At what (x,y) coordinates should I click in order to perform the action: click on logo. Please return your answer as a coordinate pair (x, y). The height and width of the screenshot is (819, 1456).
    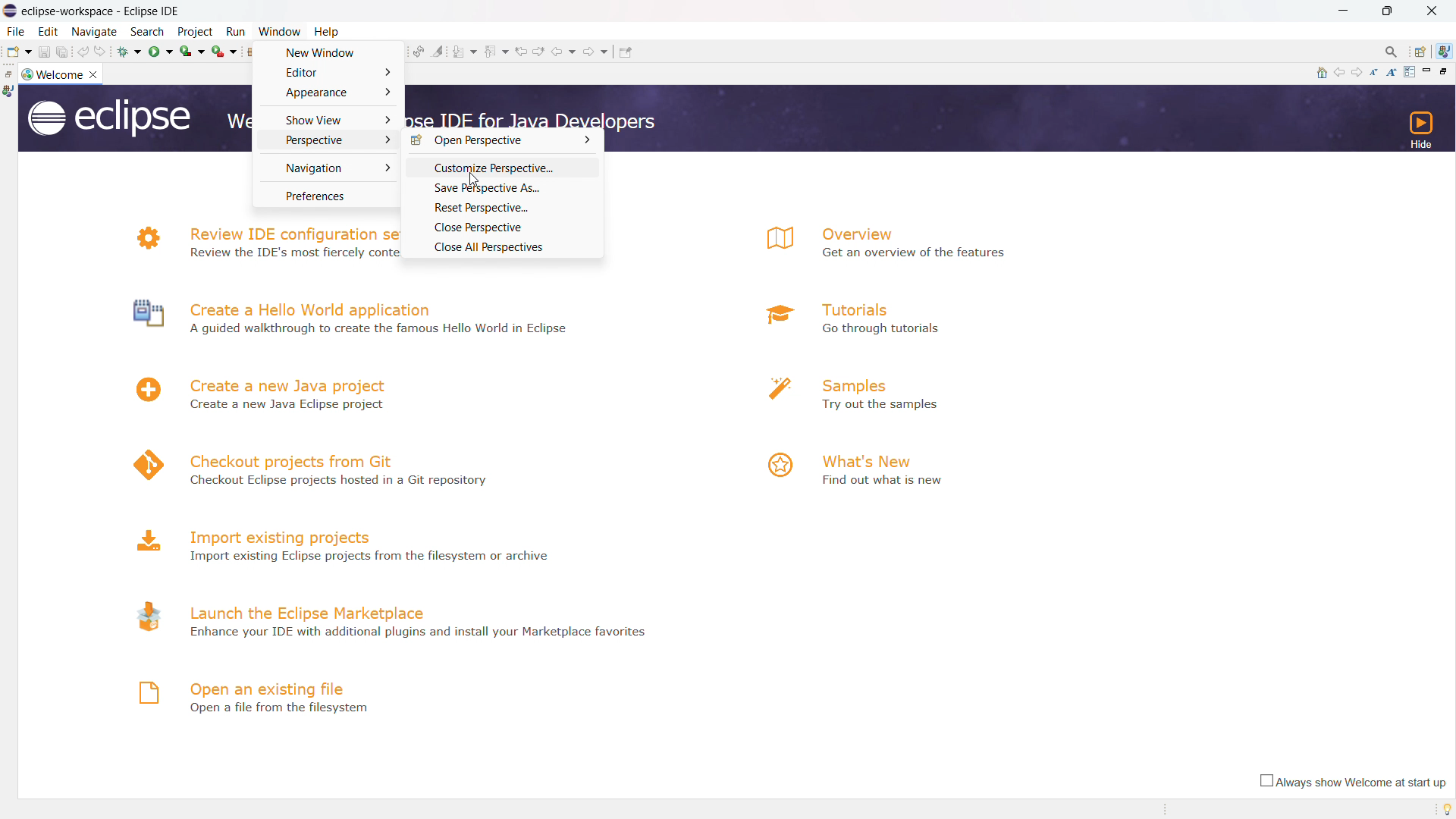
    Looking at the image, I should click on (140, 464).